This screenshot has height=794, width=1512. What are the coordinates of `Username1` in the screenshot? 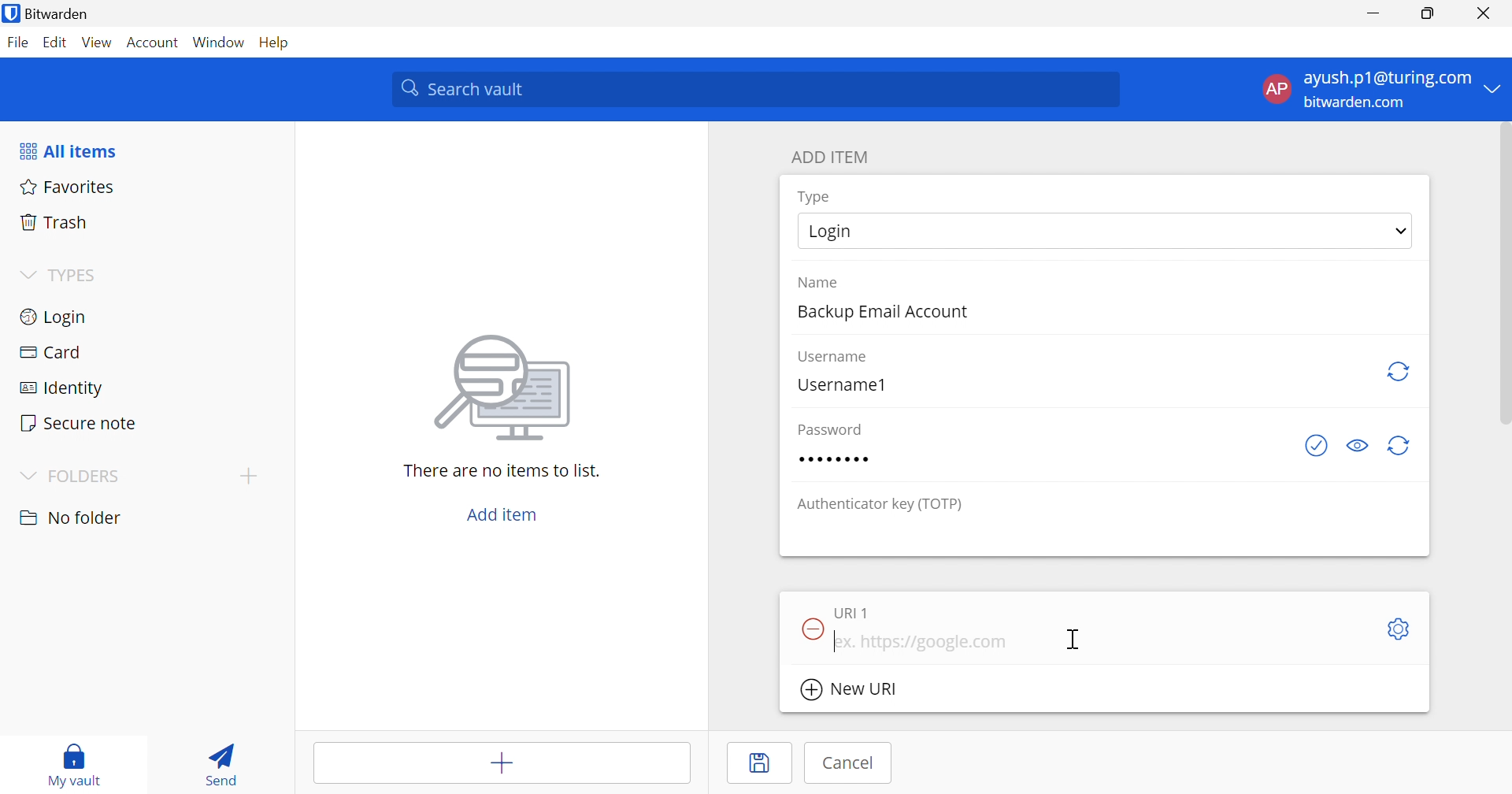 It's located at (842, 384).